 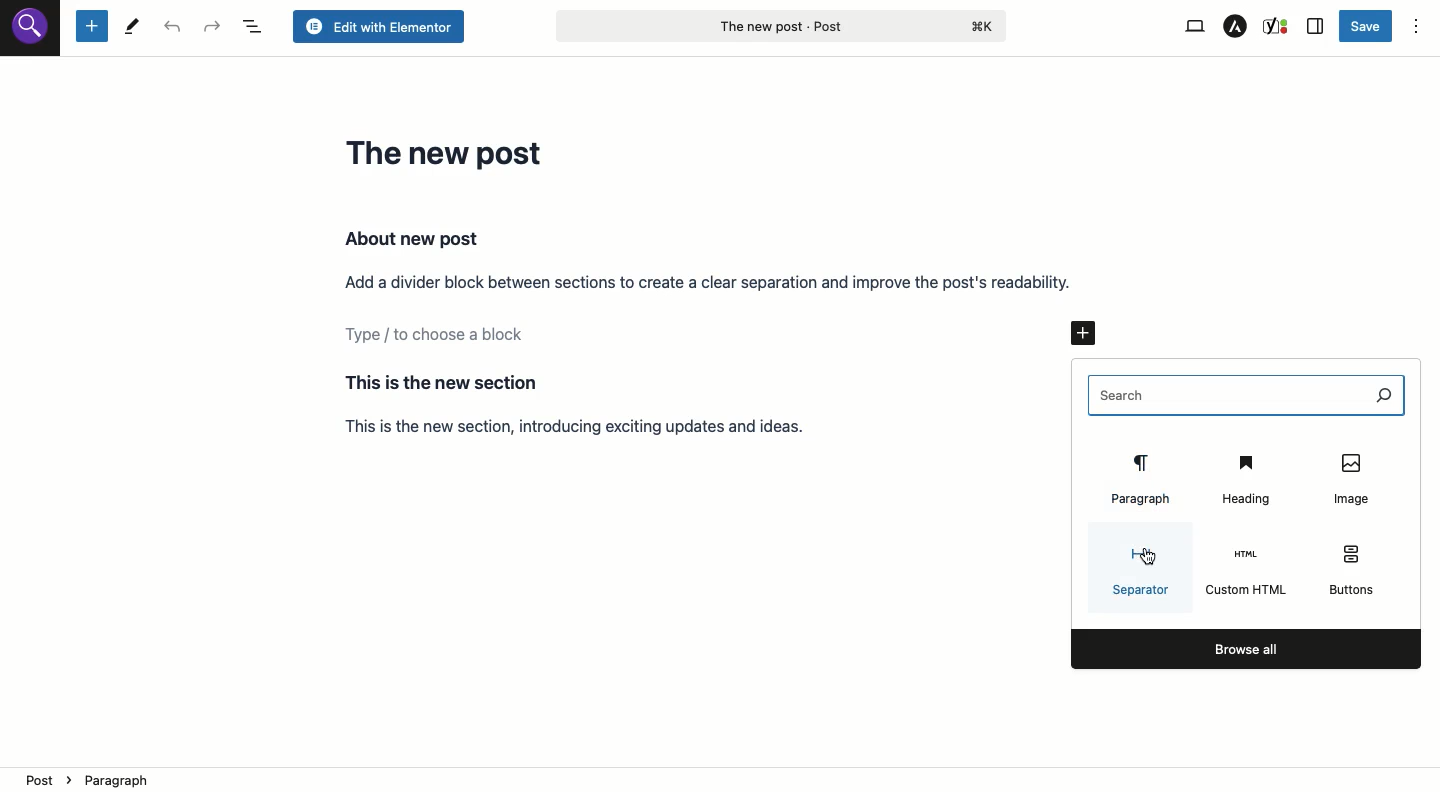 What do you see at coordinates (1277, 25) in the screenshot?
I see `Yoast` at bounding box center [1277, 25].